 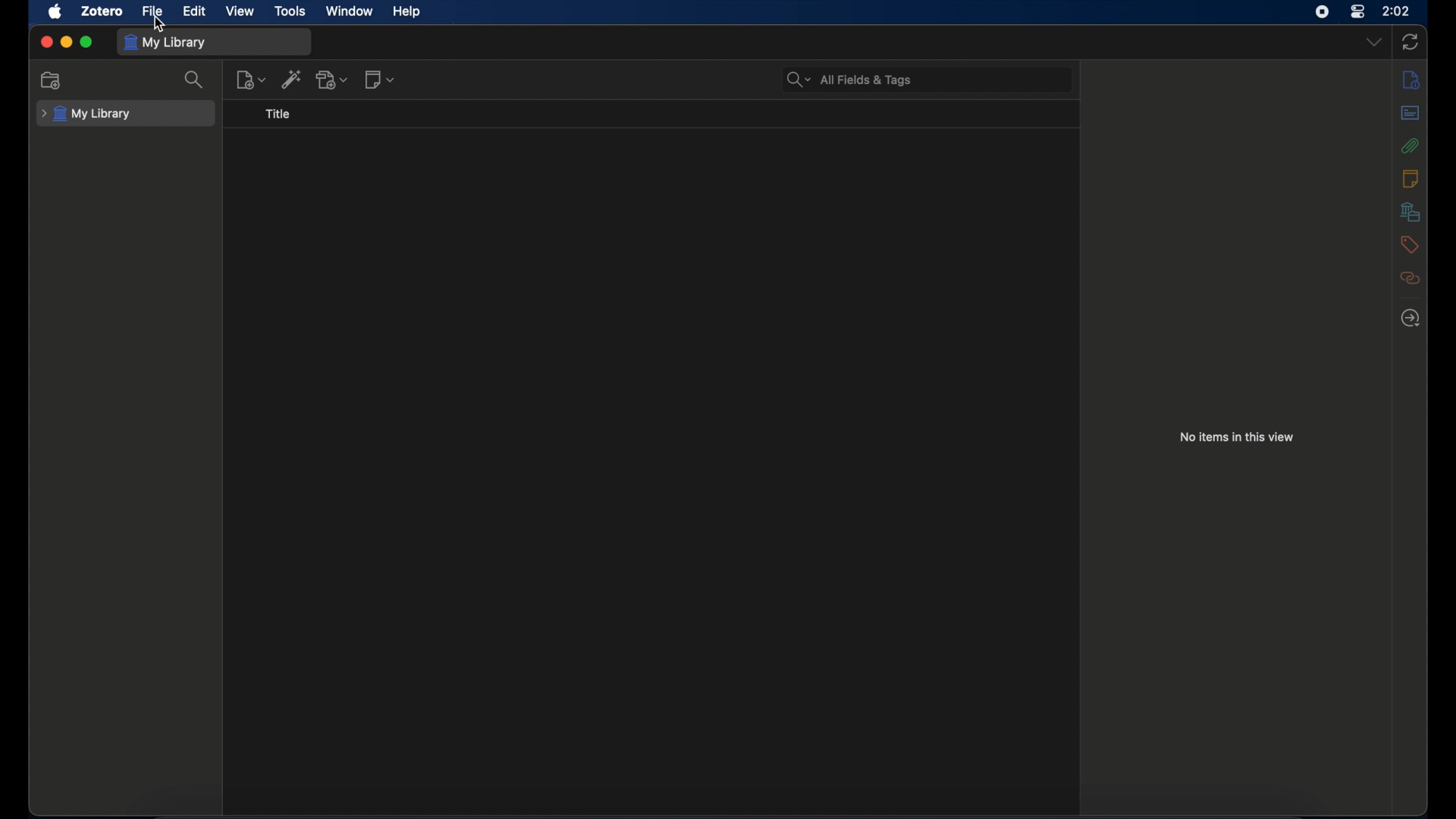 I want to click on dropdown, so click(x=1373, y=42).